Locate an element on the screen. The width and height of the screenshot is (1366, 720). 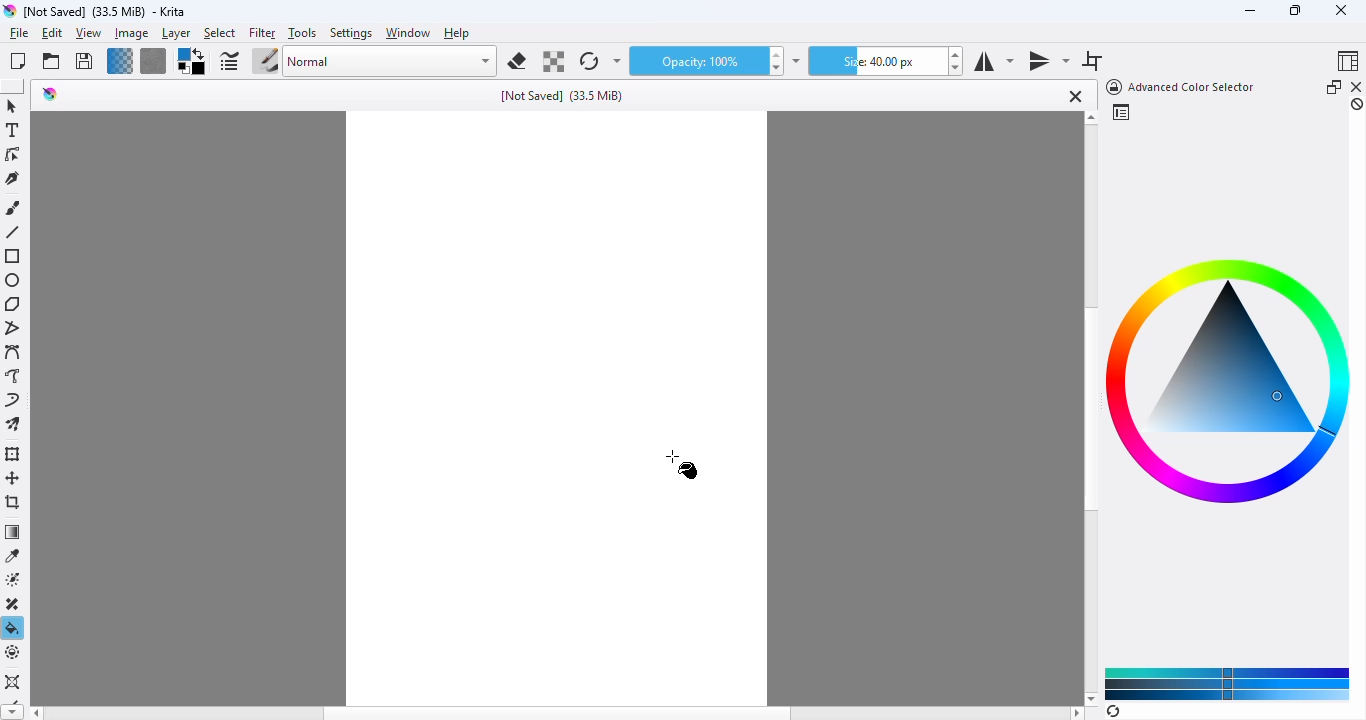
color models and components is located at coordinates (1228, 683).